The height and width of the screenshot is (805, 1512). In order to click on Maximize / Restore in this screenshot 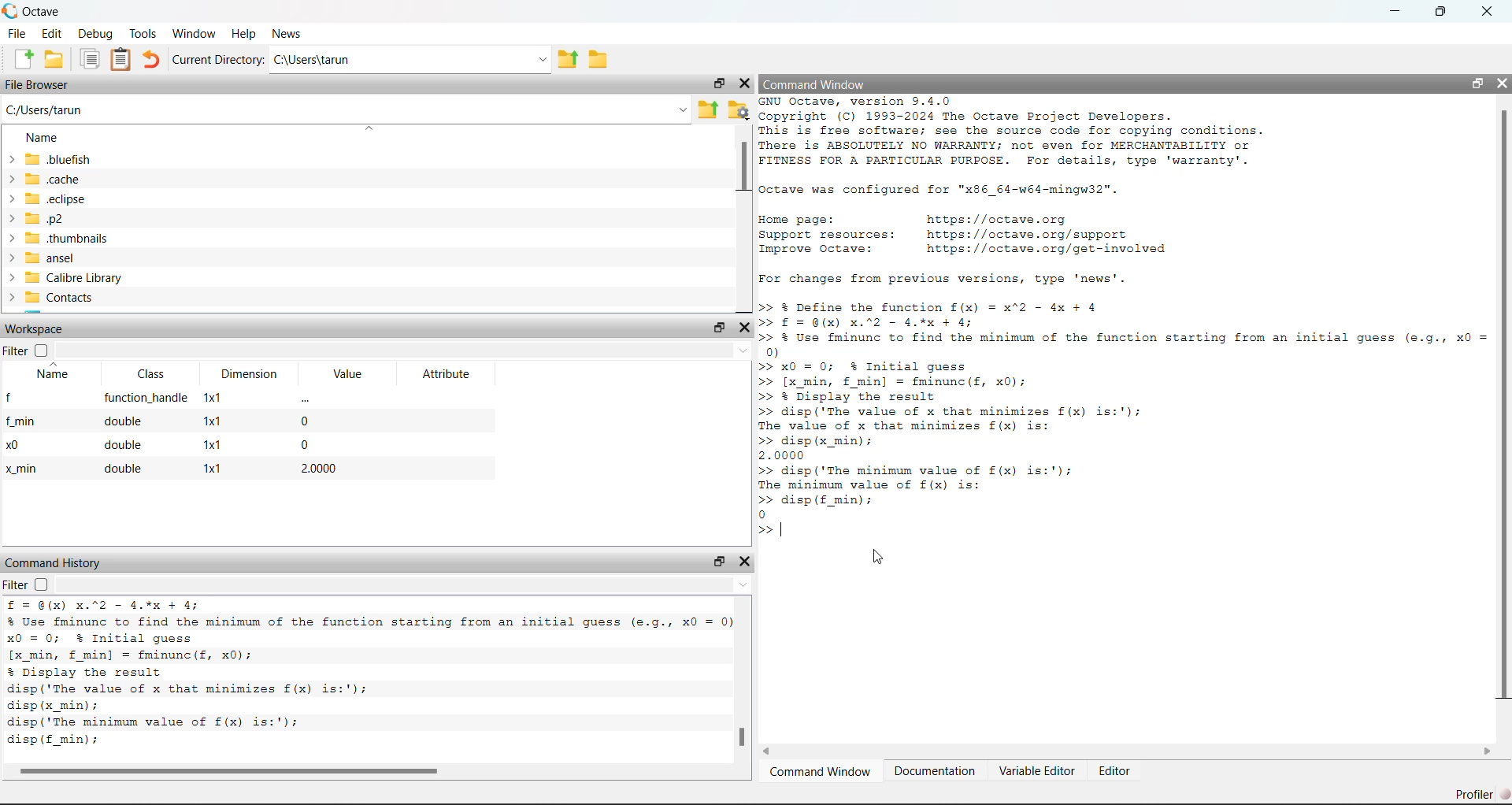, I will do `click(717, 558)`.